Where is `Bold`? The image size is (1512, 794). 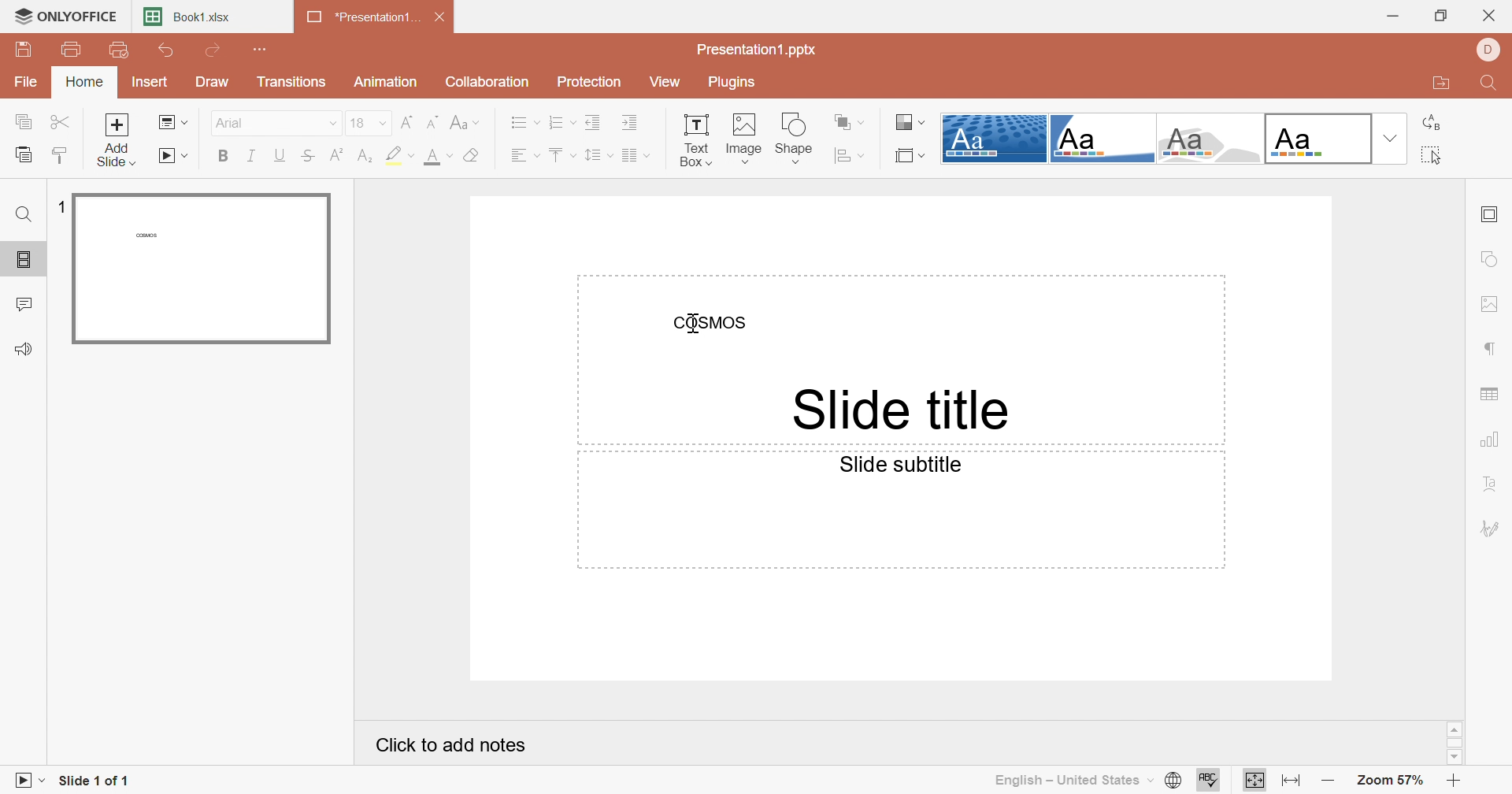 Bold is located at coordinates (224, 155).